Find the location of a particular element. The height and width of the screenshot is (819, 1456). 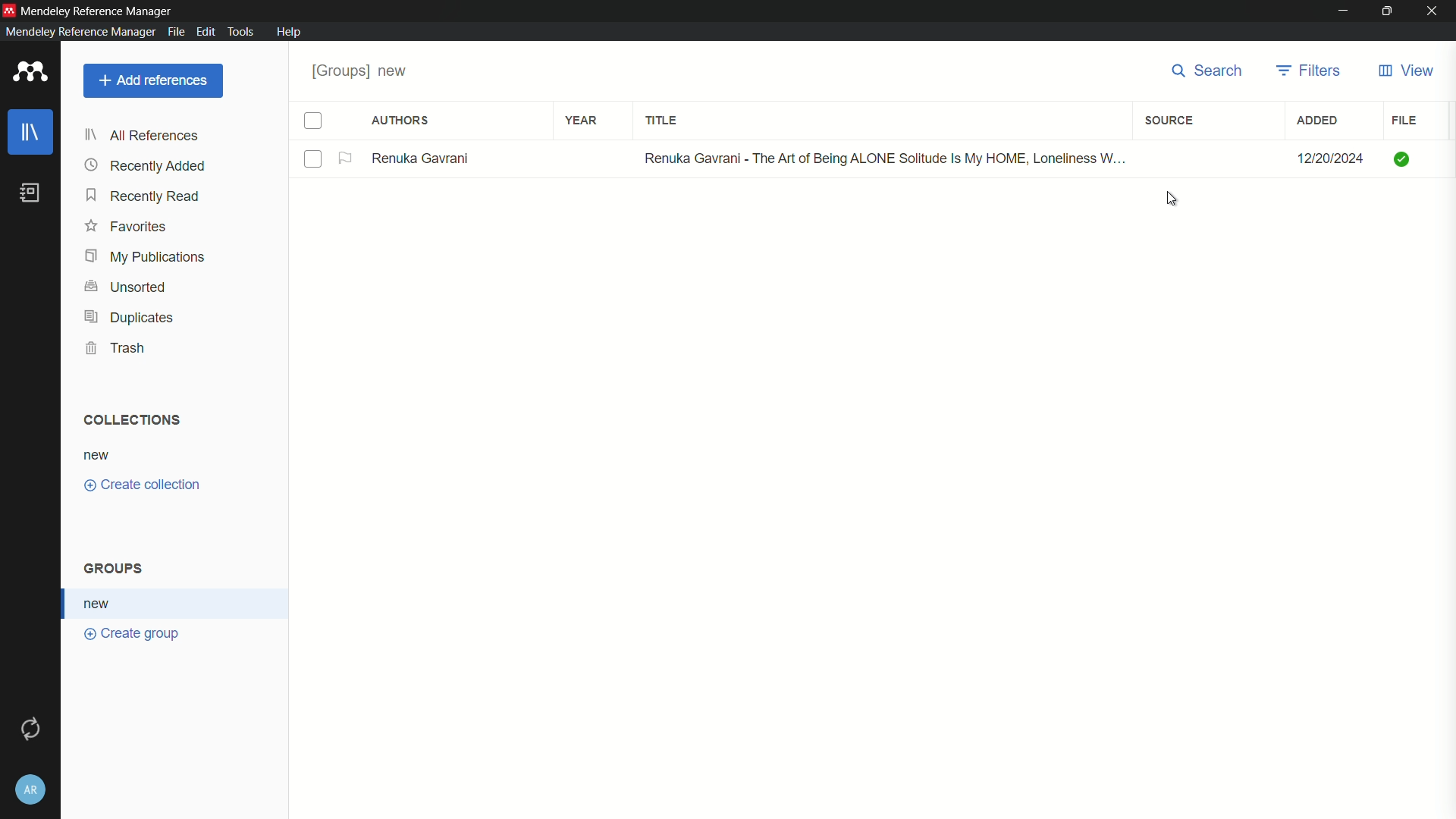

flagged is located at coordinates (347, 158).